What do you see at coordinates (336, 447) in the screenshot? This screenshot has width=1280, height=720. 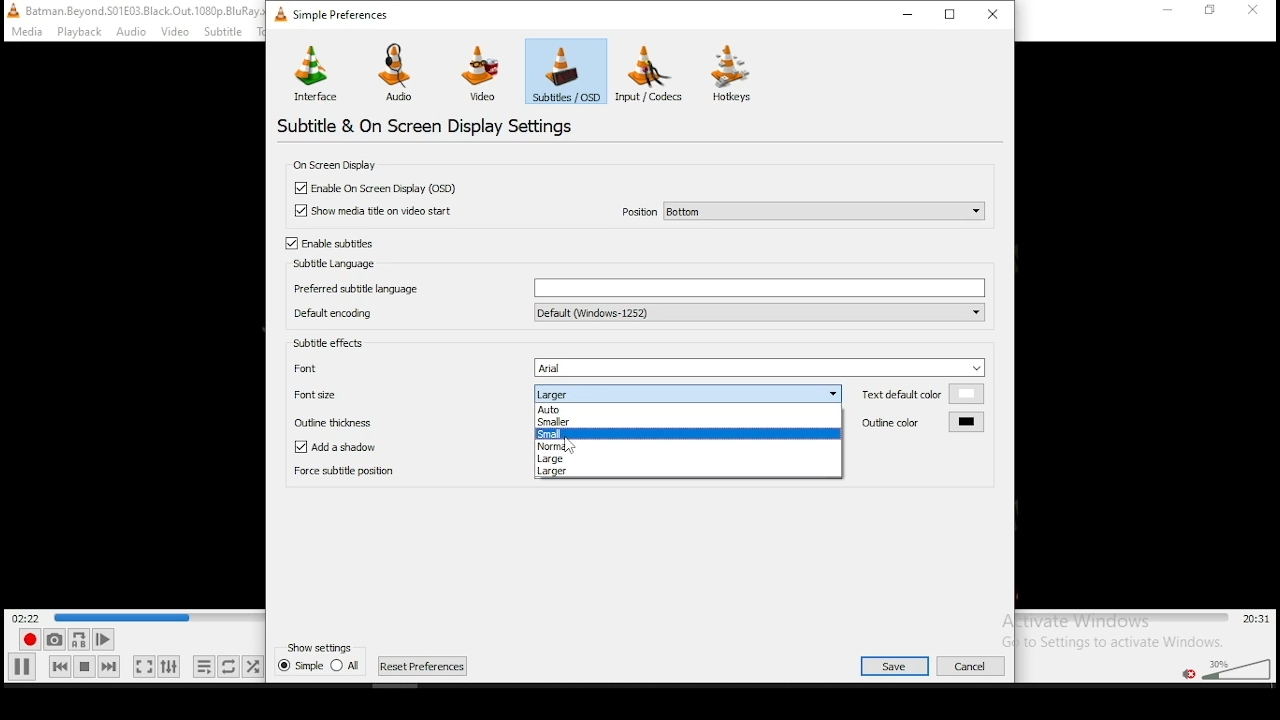 I see `checkbox: add a shadow` at bounding box center [336, 447].